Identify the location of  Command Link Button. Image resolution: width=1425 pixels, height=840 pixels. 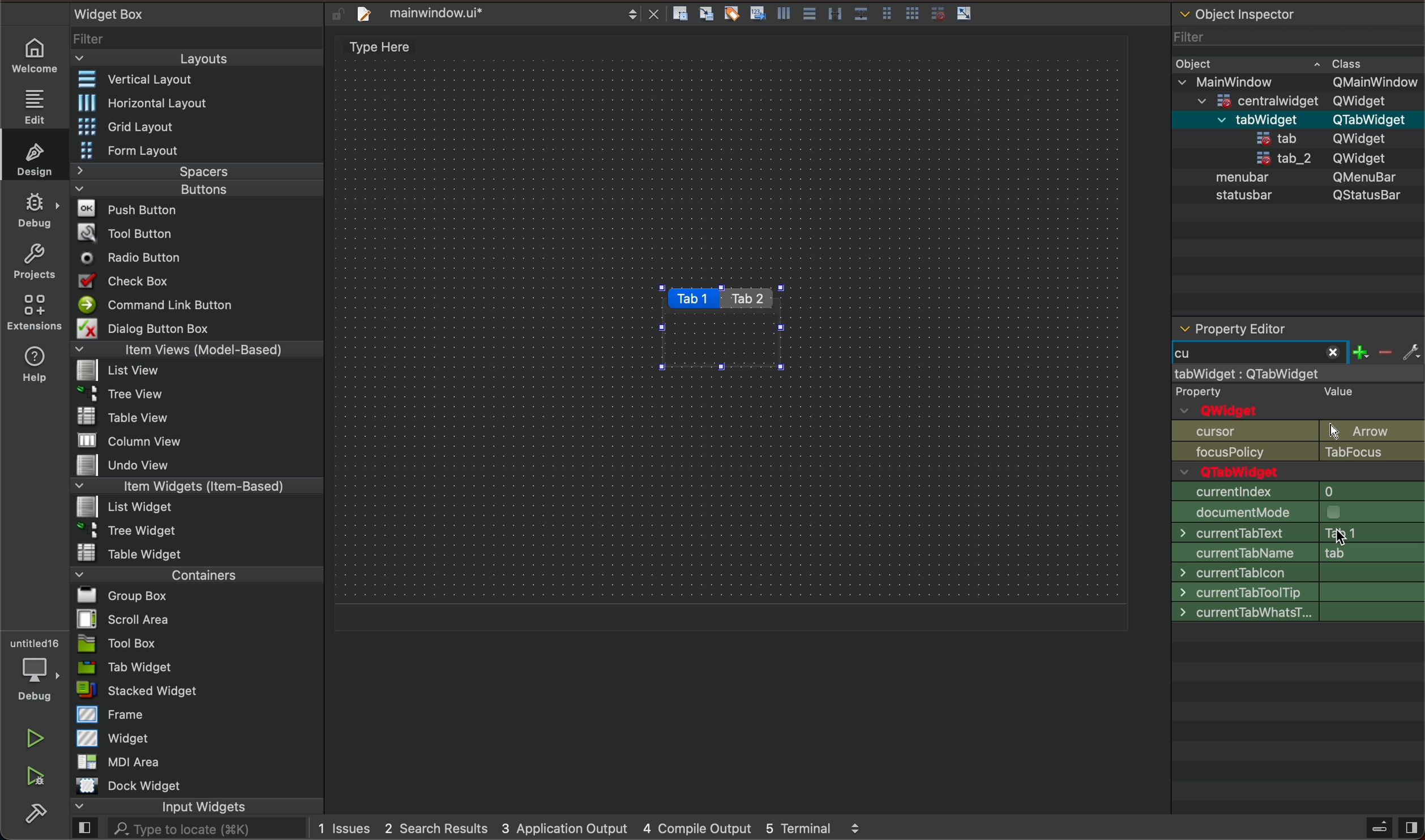
(155, 304).